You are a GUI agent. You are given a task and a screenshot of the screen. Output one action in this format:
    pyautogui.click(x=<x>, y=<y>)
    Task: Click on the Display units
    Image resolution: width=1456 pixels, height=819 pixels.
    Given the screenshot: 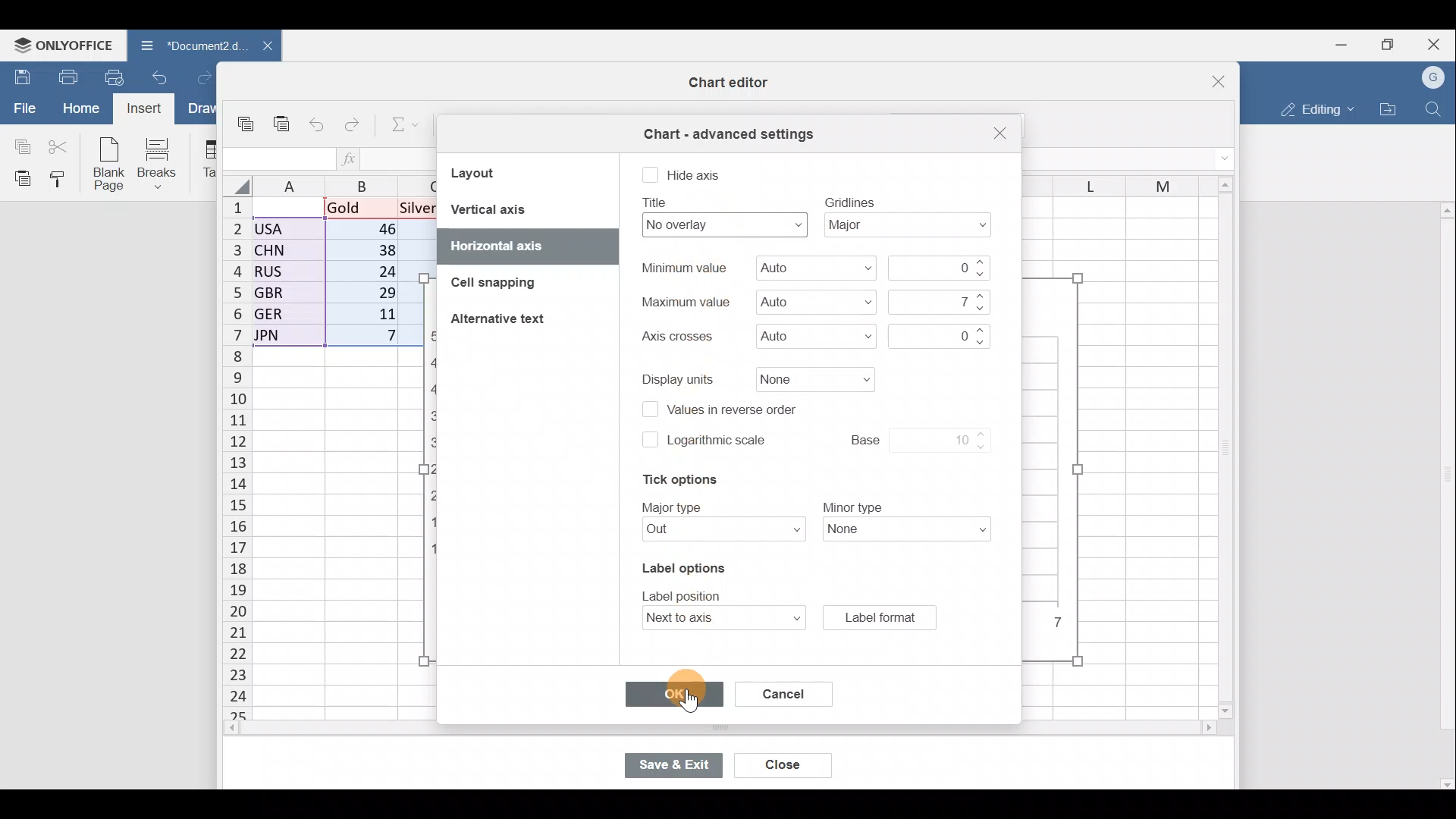 What is the action you would take?
    pyautogui.click(x=809, y=378)
    